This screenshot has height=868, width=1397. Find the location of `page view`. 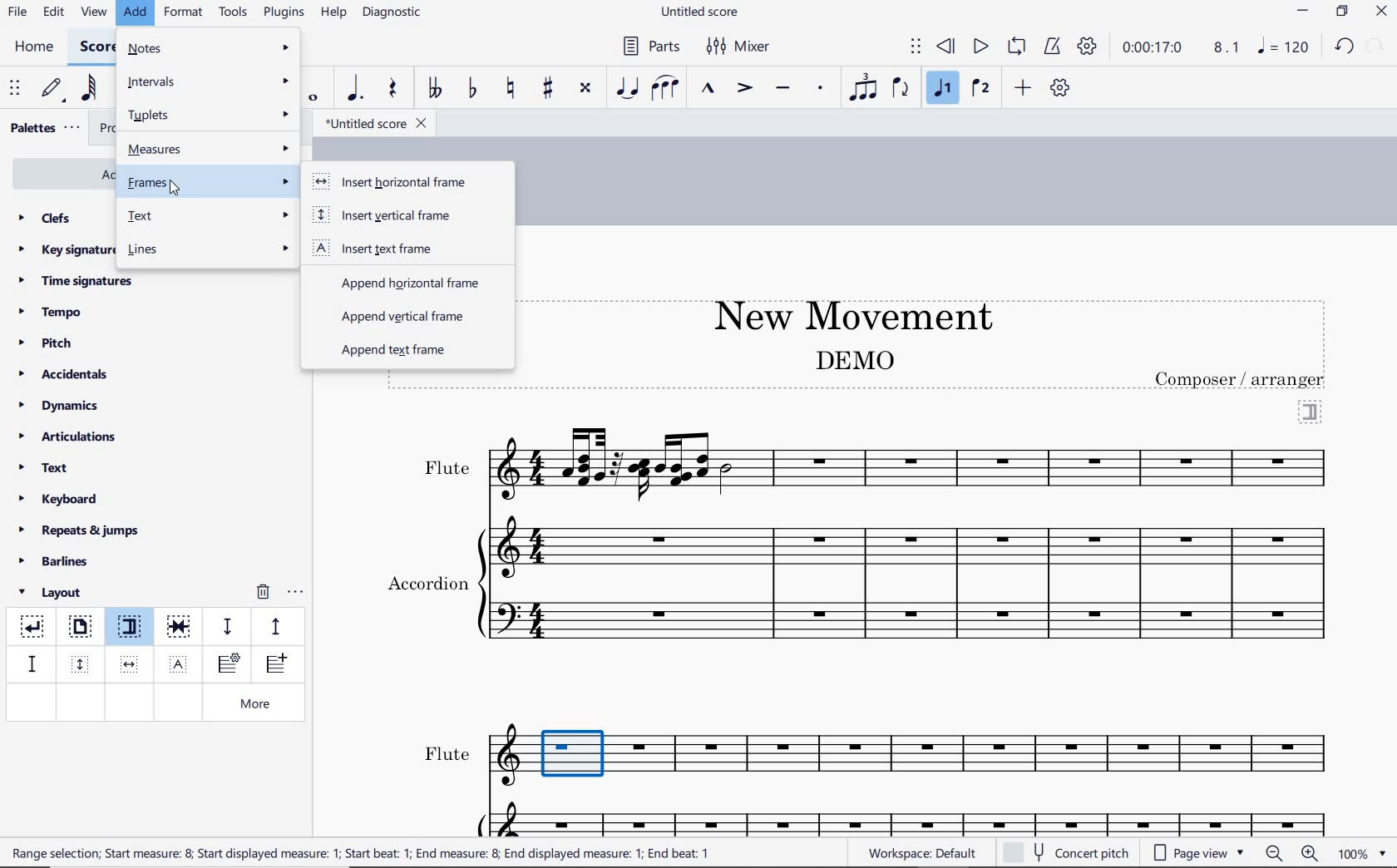

page view is located at coordinates (1199, 853).